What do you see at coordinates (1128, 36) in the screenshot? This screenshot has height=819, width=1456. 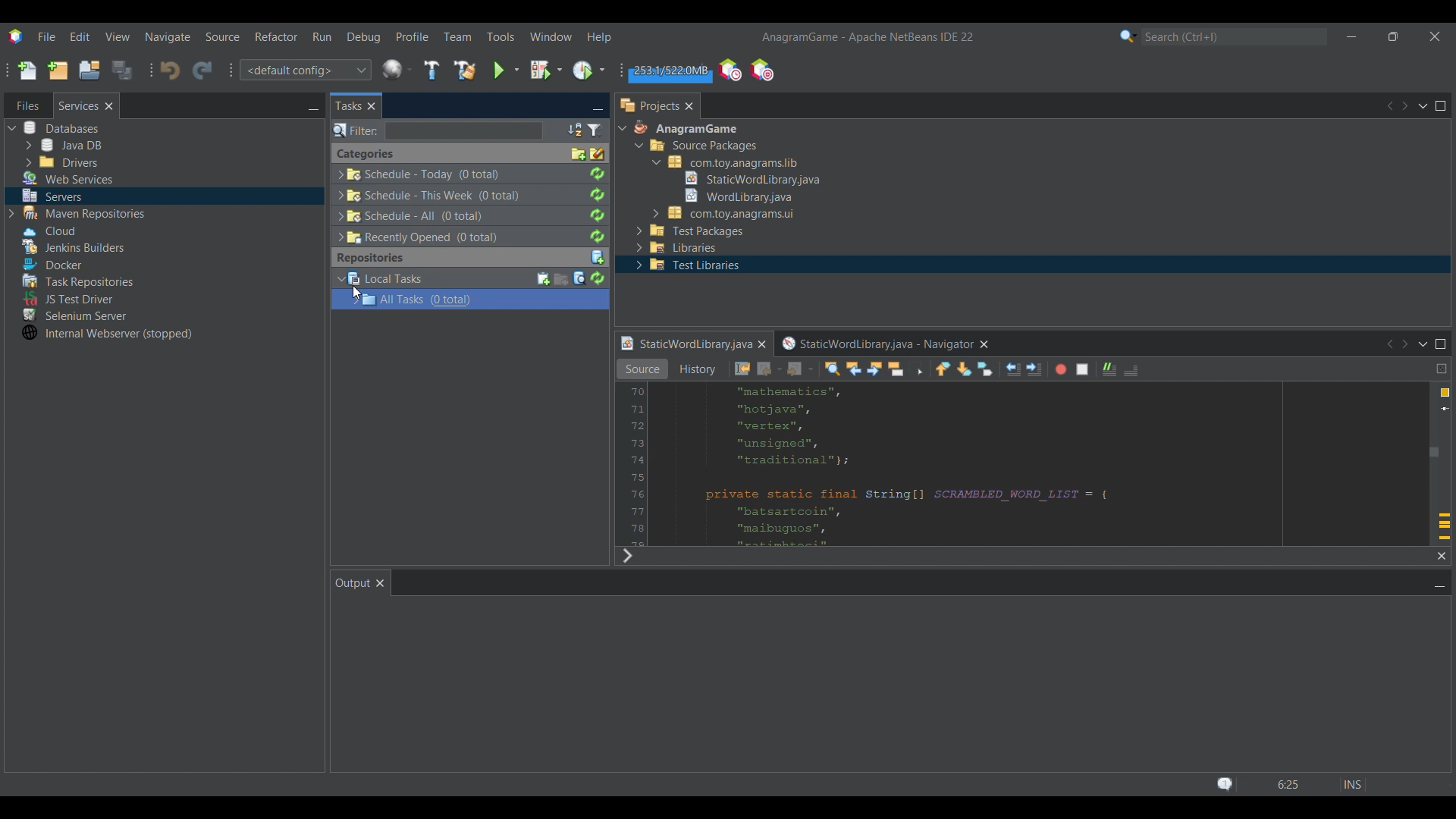 I see `Search category selection` at bounding box center [1128, 36].